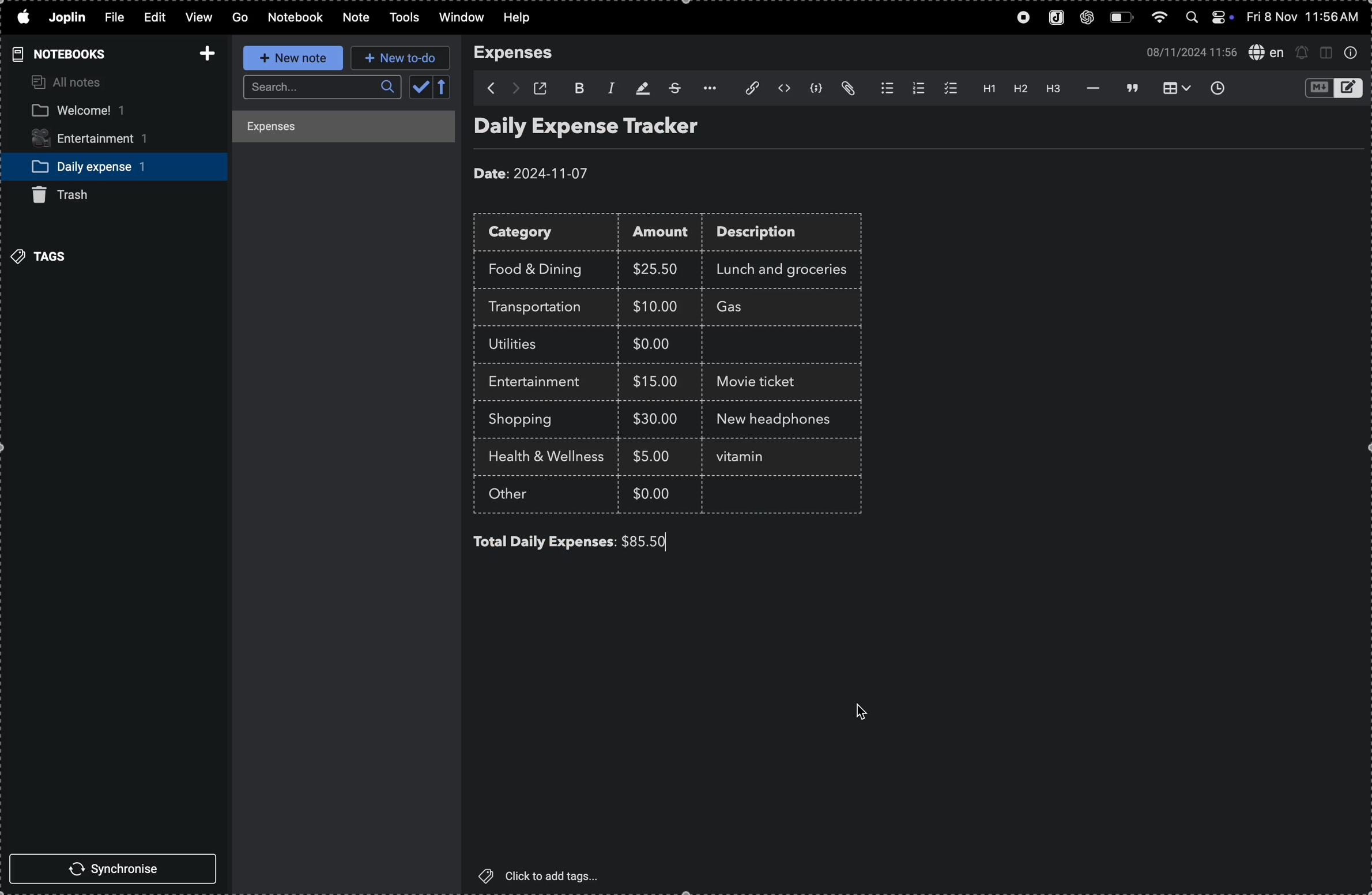 This screenshot has height=895, width=1372. Describe the element at coordinates (101, 140) in the screenshot. I see `entertainment` at that location.